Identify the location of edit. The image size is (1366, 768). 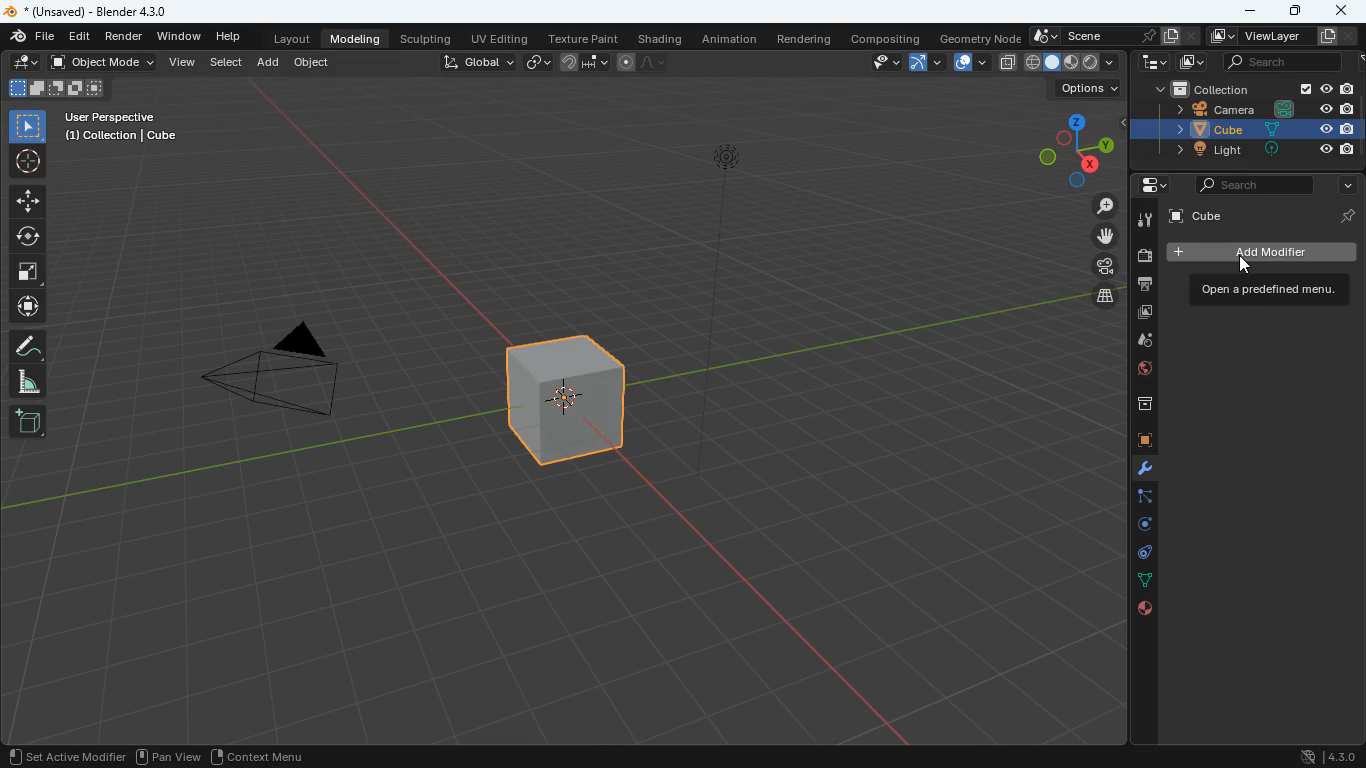
(24, 61).